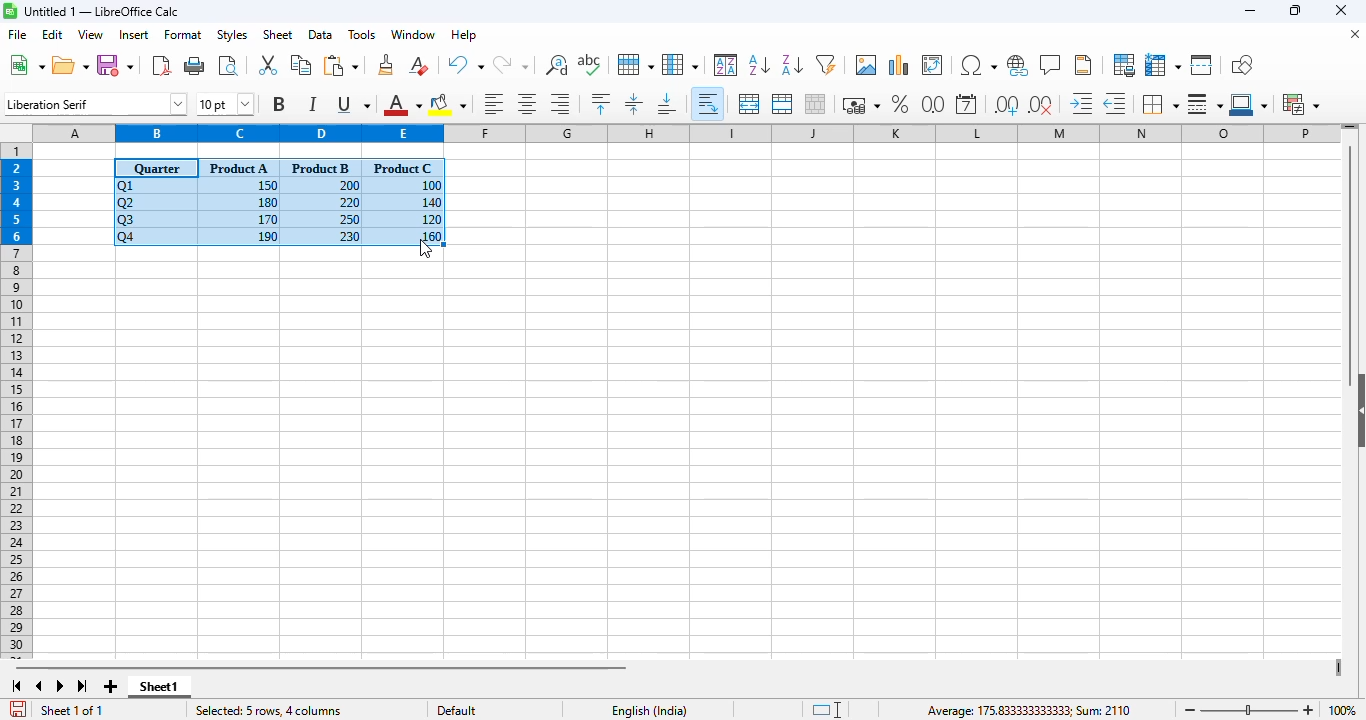  Describe the element at coordinates (102, 11) in the screenshot. I see `Untitled 1 — LibreOffice Calc` at that location.